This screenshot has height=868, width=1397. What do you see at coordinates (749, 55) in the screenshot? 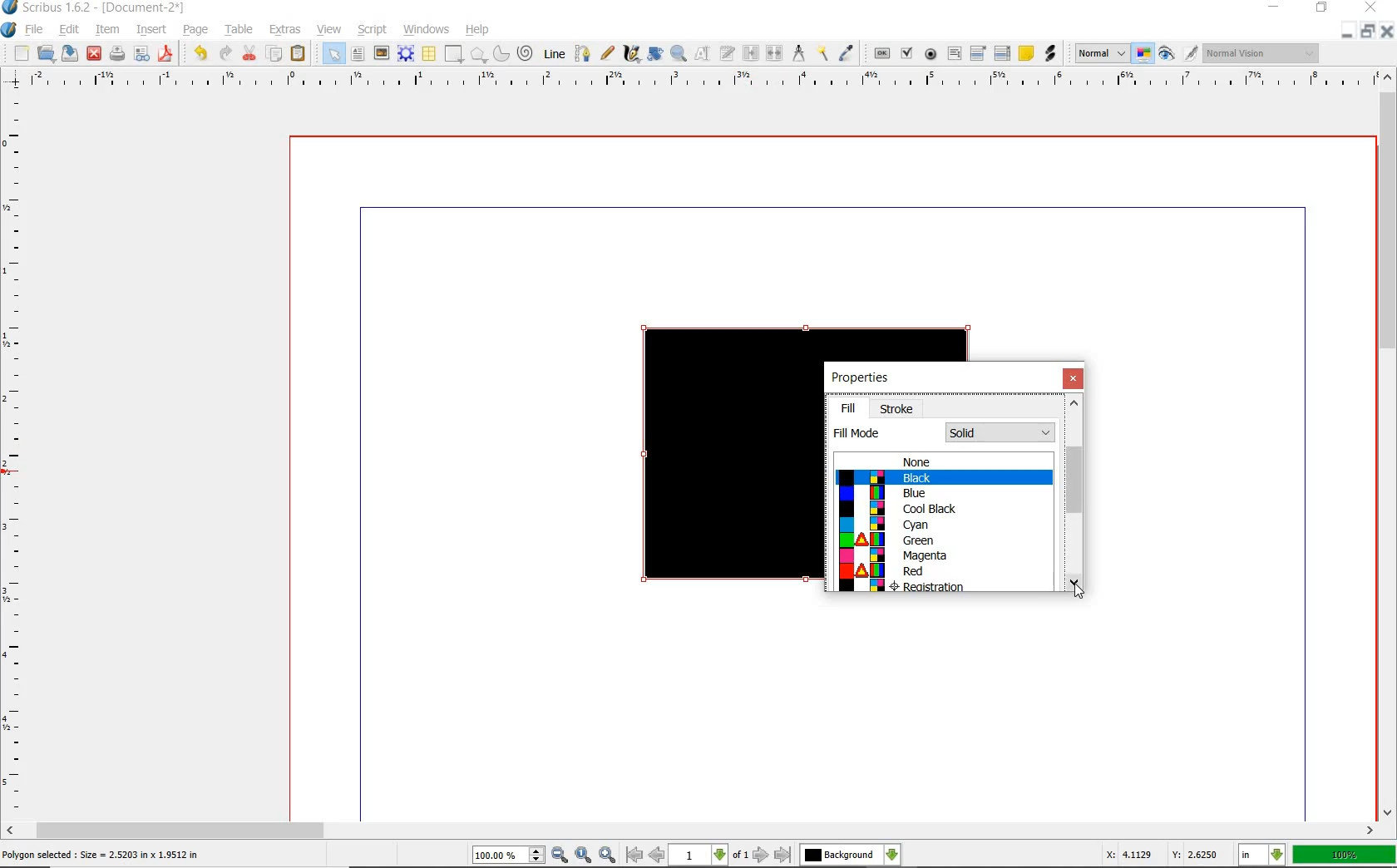
I see `link text frames` at bounding box center [749, 55].